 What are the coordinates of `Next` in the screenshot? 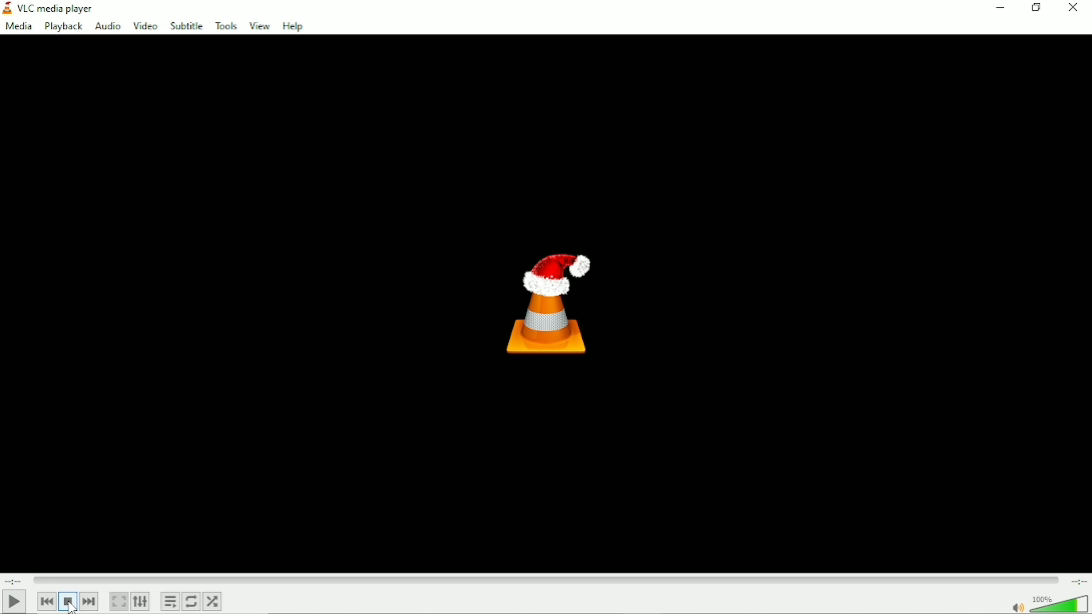 It's located at (90, 601).